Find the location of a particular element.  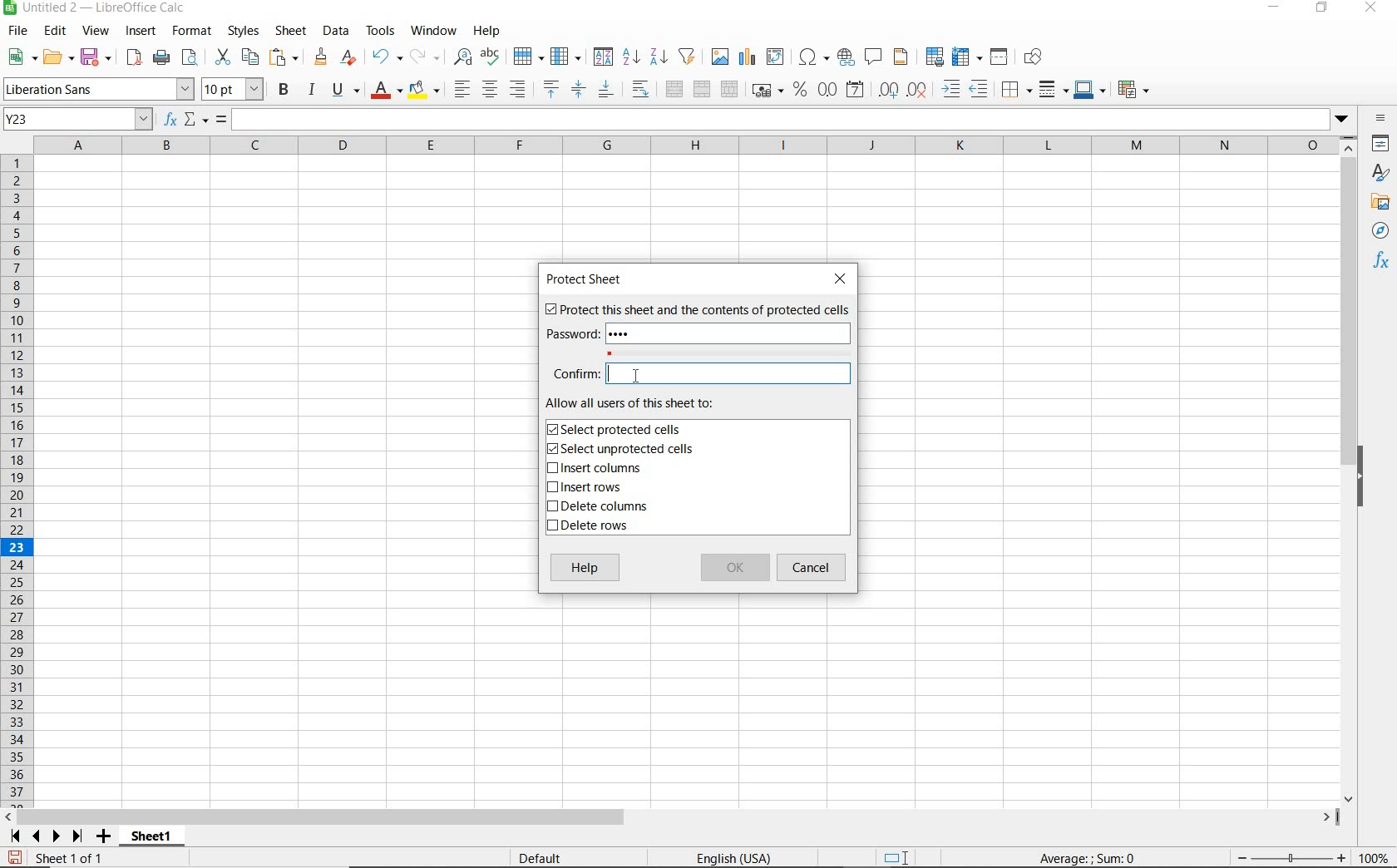

FILE is located at coordinates (16, 31).